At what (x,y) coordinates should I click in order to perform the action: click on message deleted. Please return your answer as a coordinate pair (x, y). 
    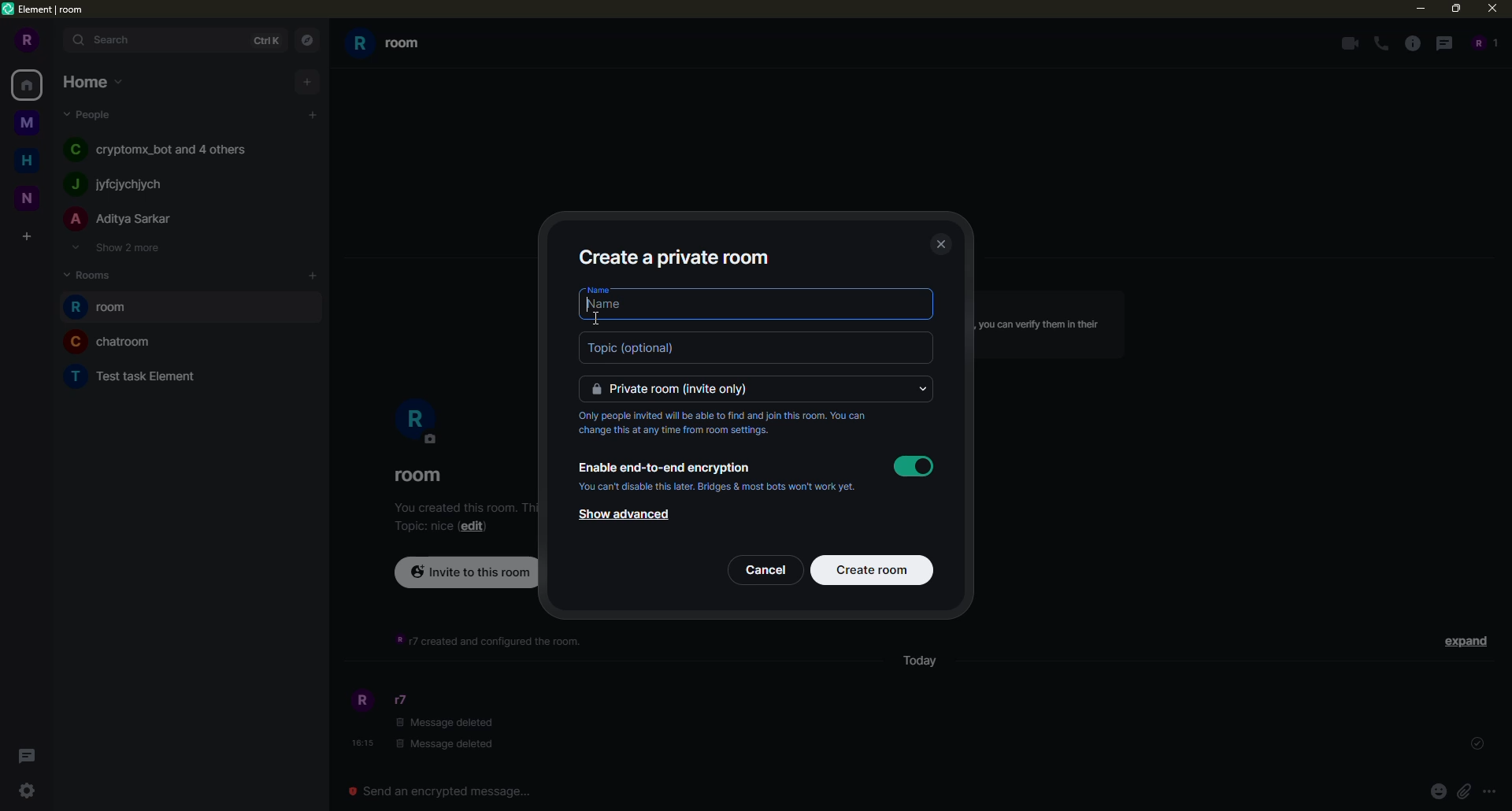
    Looking at the image, I should click on (452, 733).